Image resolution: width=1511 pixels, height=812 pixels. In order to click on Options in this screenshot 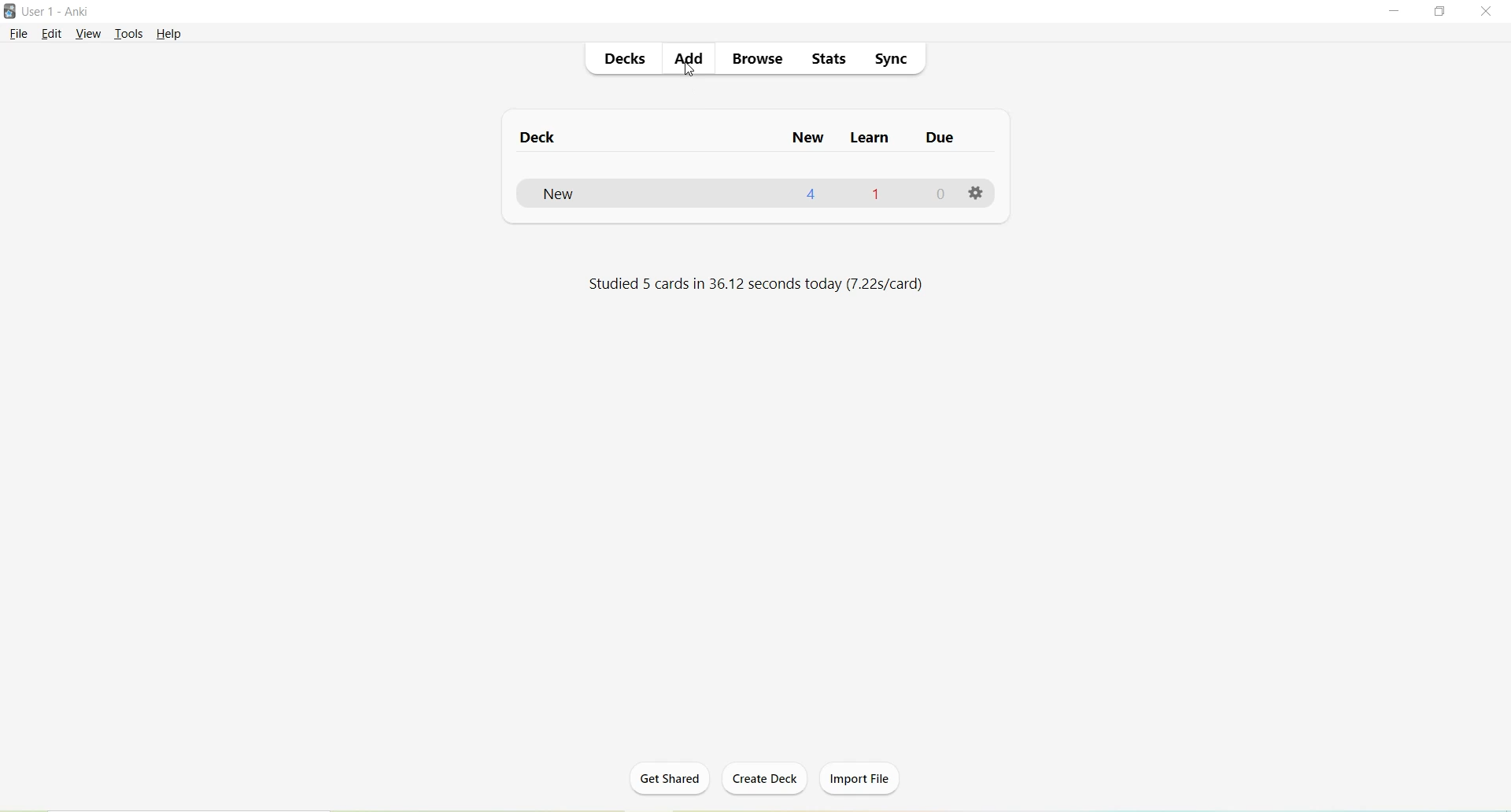, I will do `click(980, 194)`.